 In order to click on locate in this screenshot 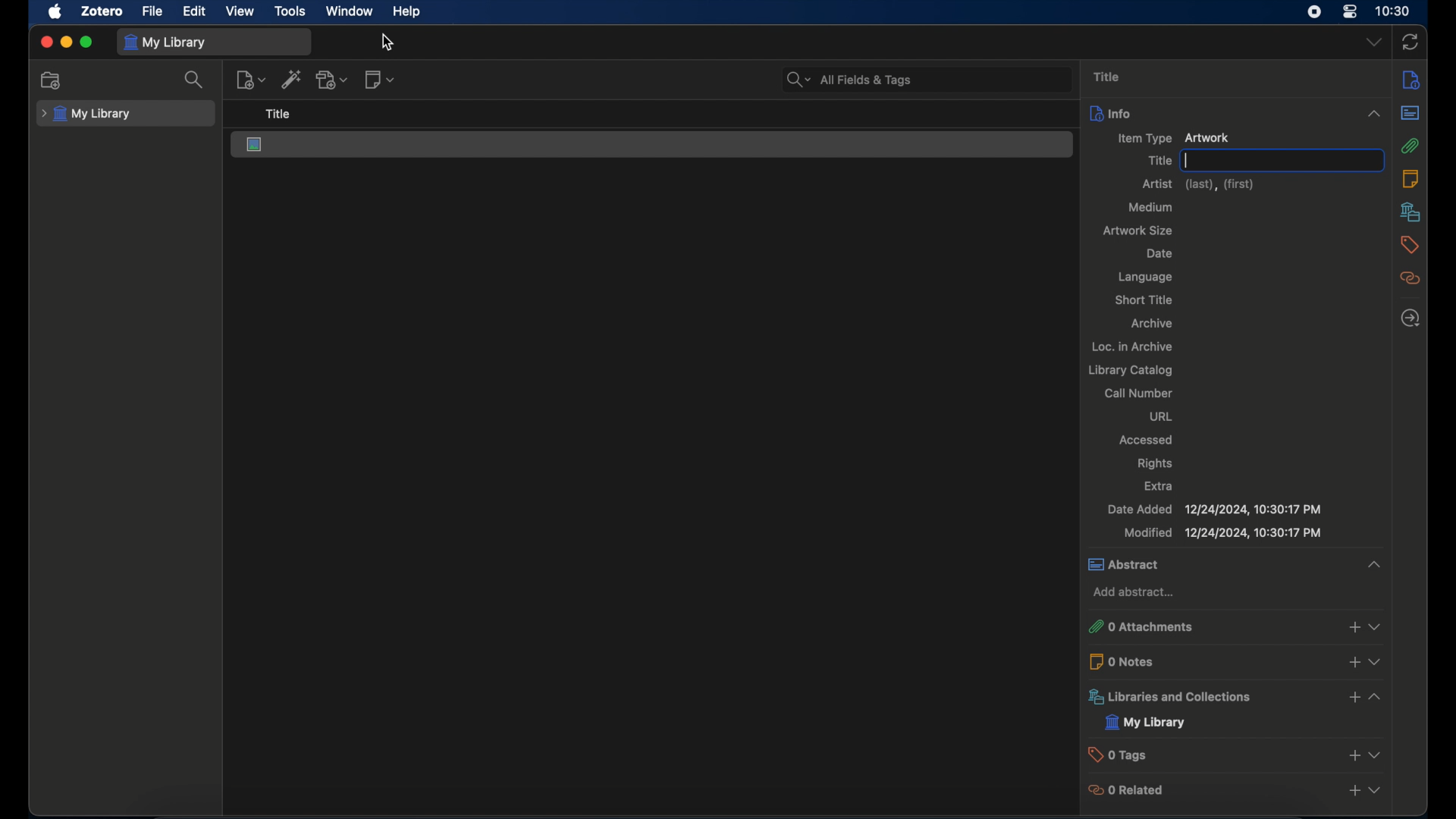, I will do `click(1411, 319)`.